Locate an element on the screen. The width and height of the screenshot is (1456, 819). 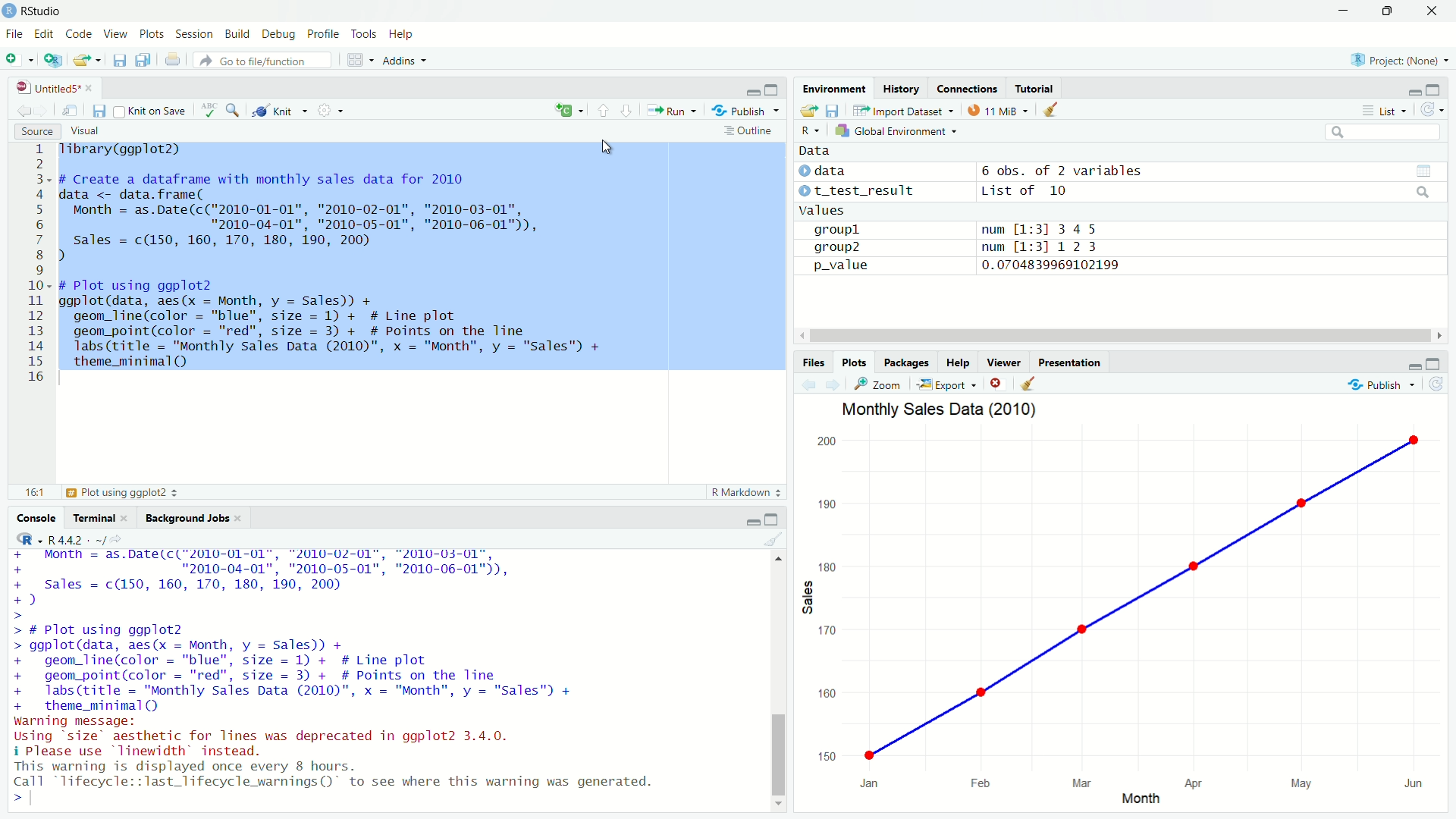
go back is located at coordinates (30, 109).